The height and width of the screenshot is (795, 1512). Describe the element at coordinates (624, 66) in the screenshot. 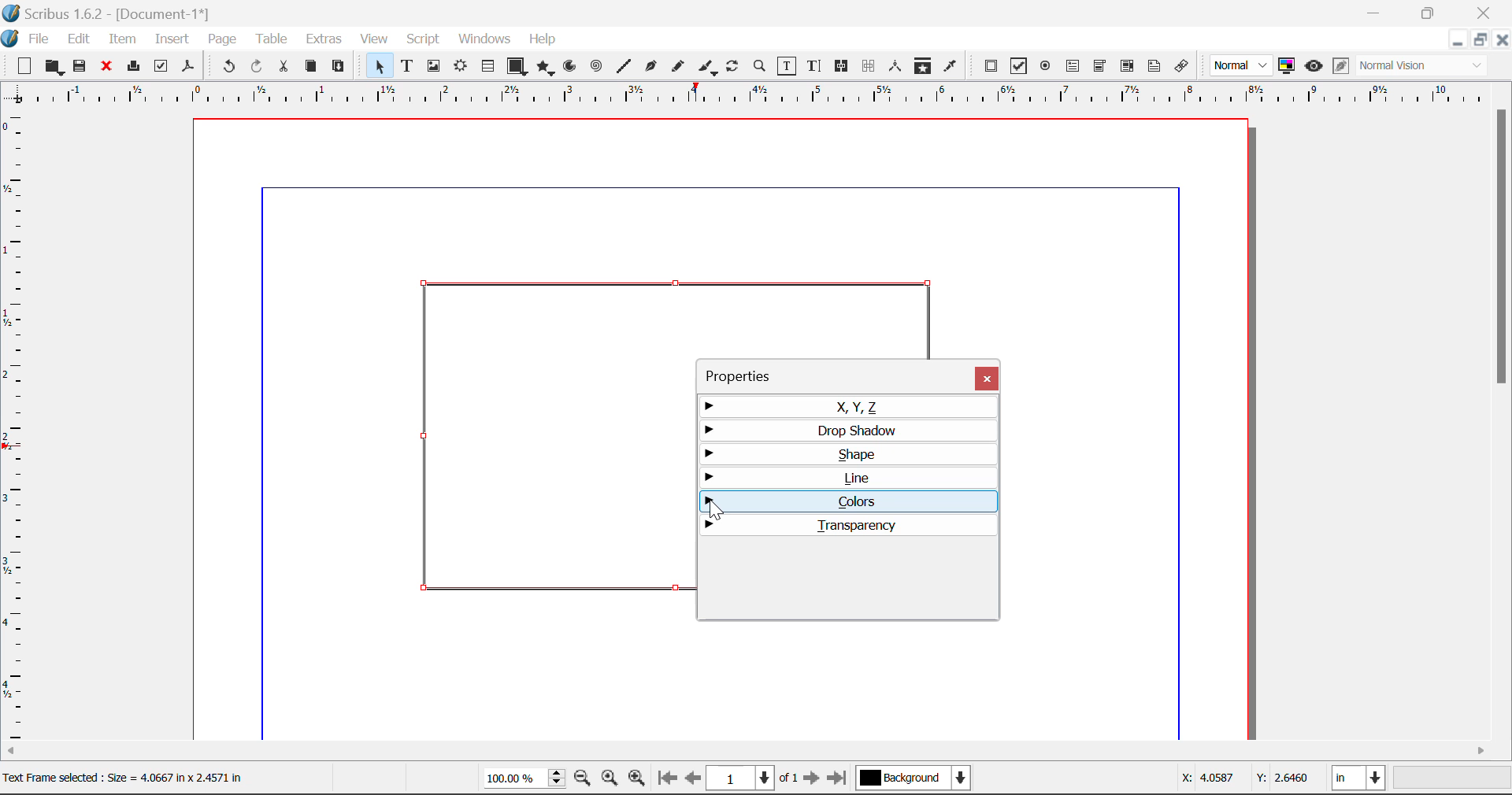

I see `Line` at that location.